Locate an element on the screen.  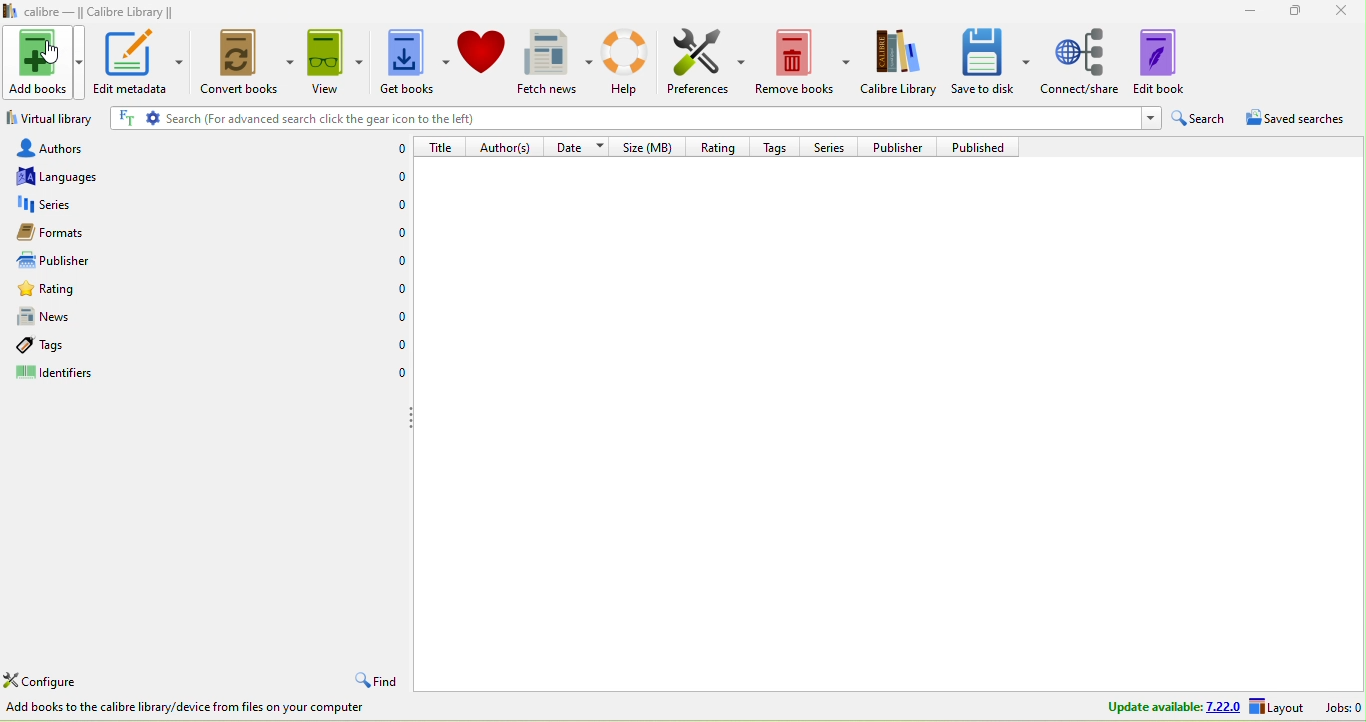
layout is located at coordinates (1279, 707).